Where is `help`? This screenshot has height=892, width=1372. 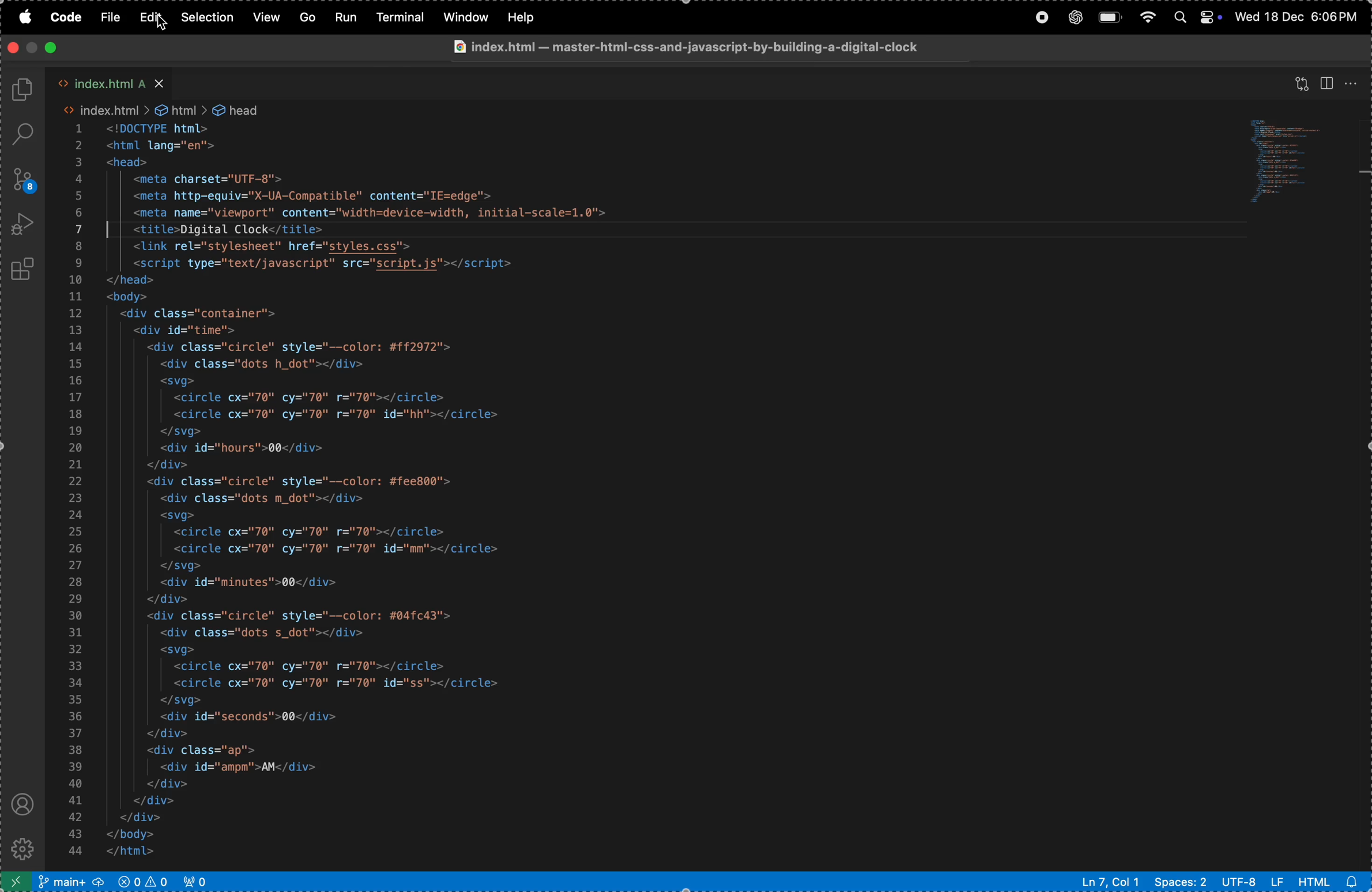 help is located at coordinates (526, 16).